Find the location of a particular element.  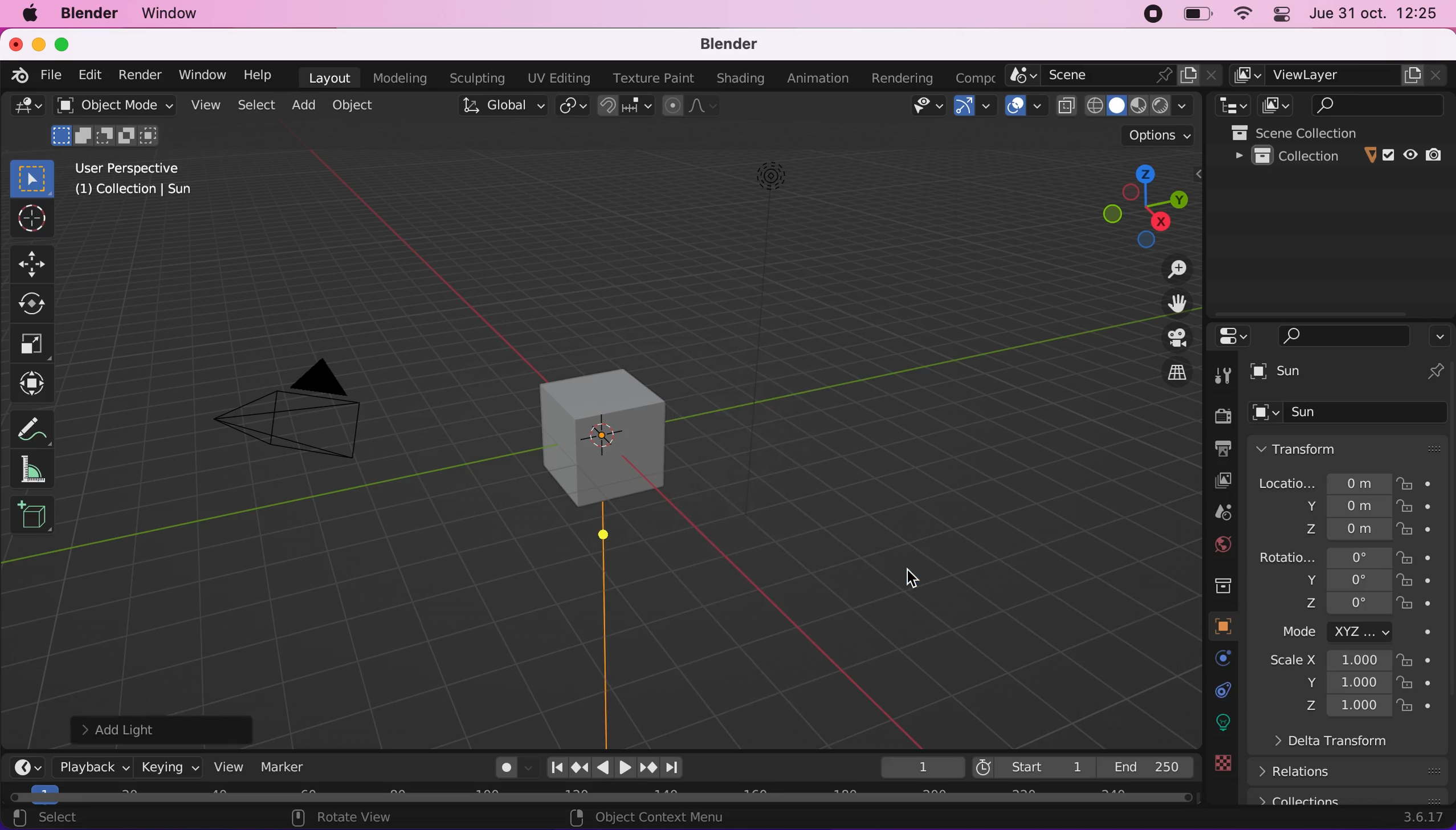

toggle the camera view is located at coordinates (1166, 337).